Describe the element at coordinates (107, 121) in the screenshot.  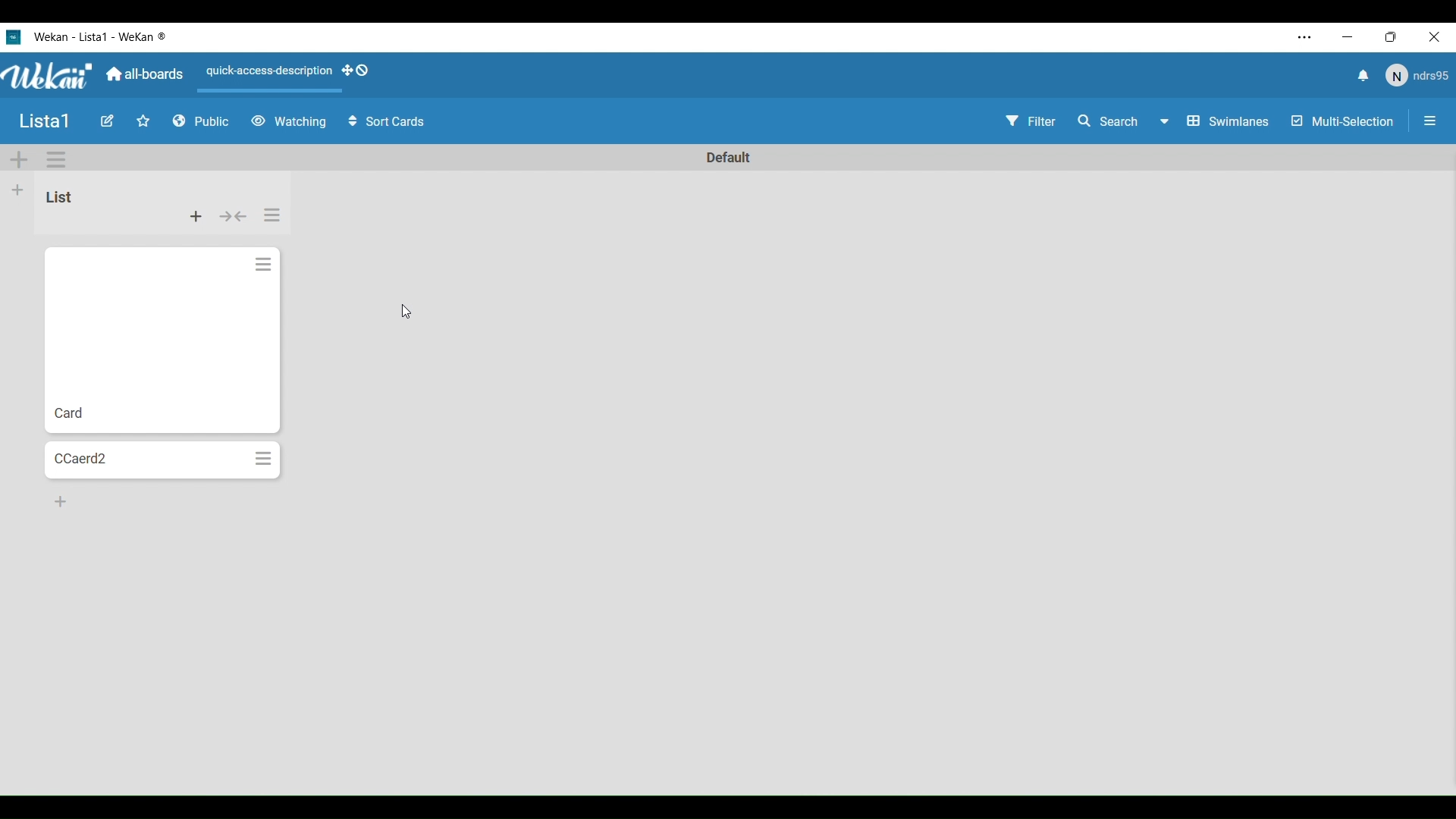
I see `Edit` at that location.